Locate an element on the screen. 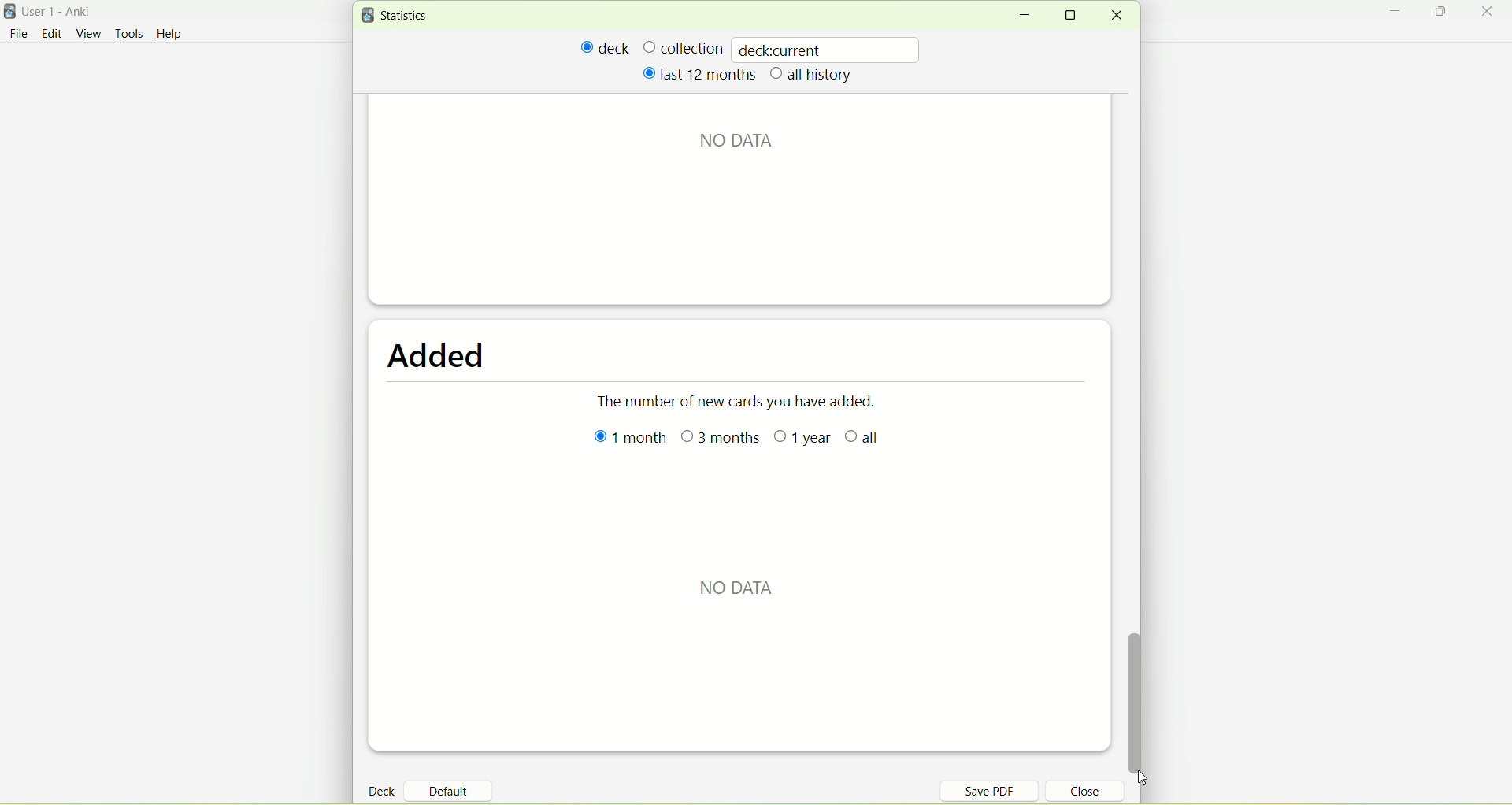 Image resolution: width=1512 pixels, height=805 pixels. deckcurrent is located at coordinates (828, 49).